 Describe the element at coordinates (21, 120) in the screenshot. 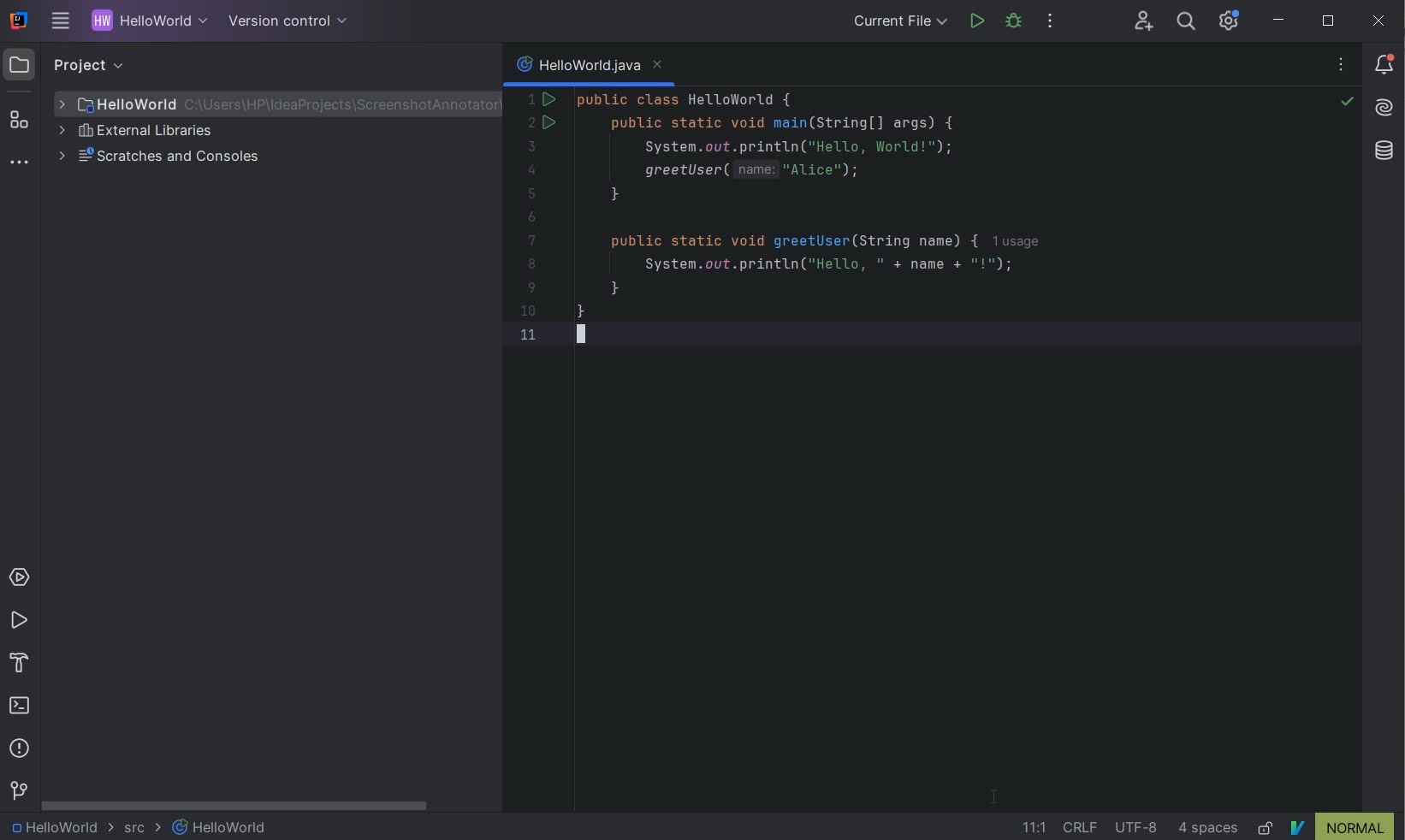

I see `STRUCTURE` at that location.